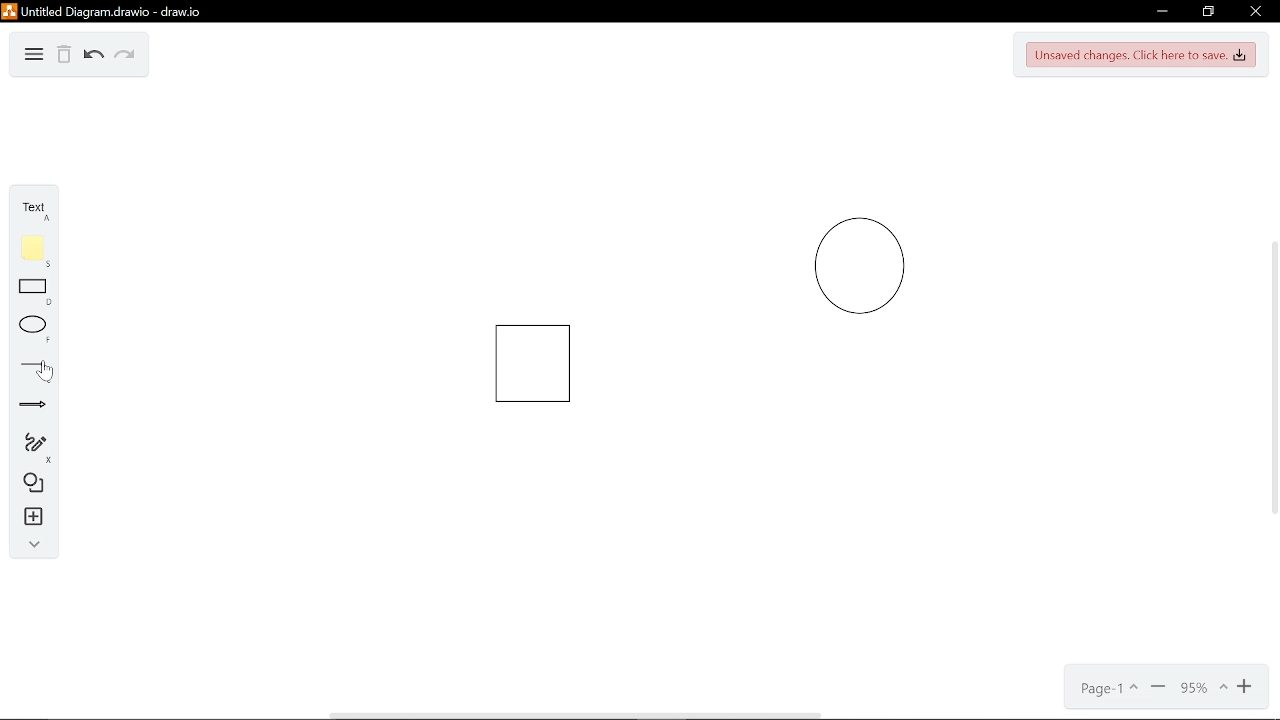 The width and height of the screenshot is (1280, 720). Describe the element at coordinates (30, 368) in the screenshot. I see `Line` at that location.